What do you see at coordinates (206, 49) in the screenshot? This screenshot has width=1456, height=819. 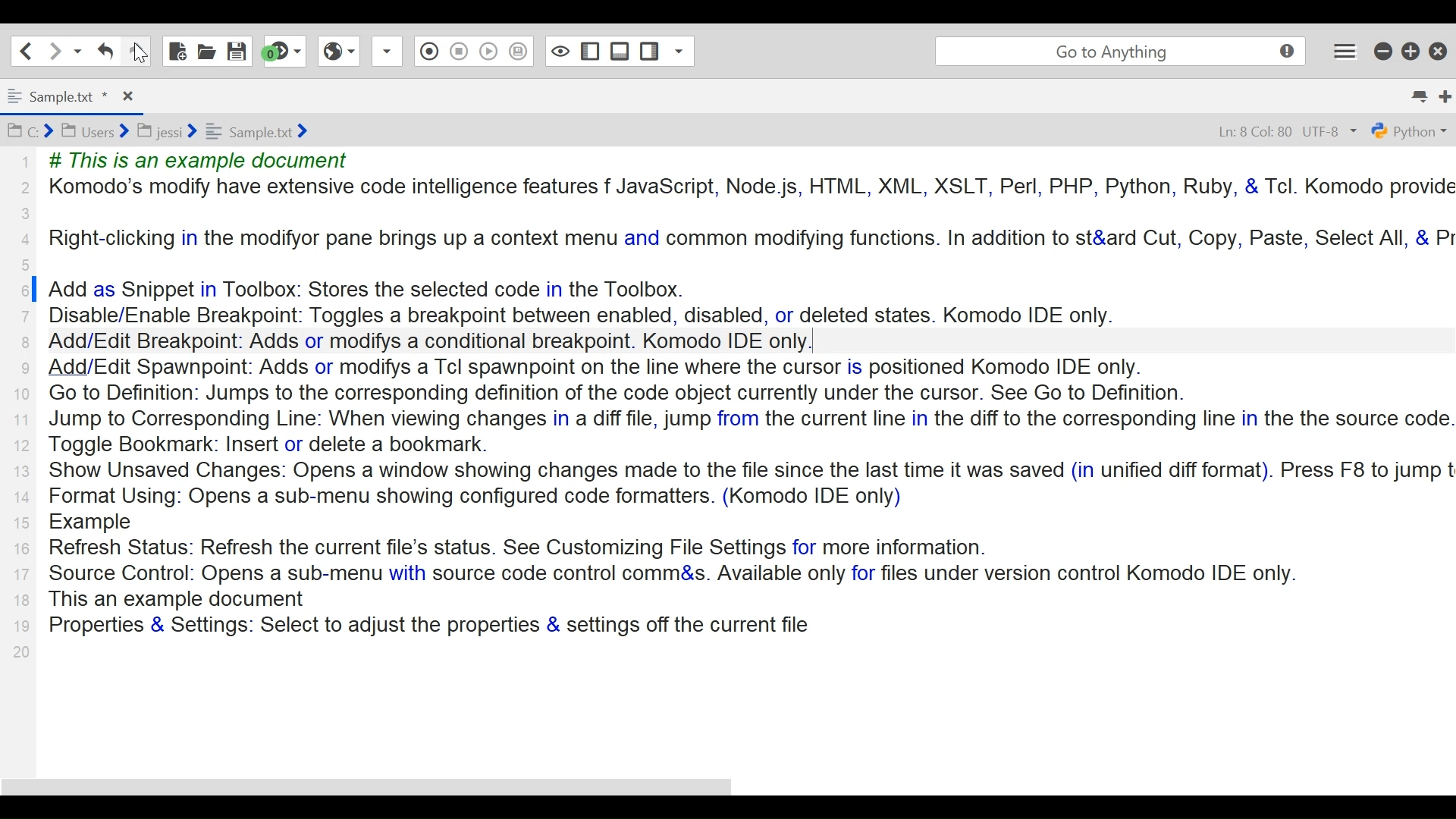 I see `Open File` at bounding box center [206, 49].